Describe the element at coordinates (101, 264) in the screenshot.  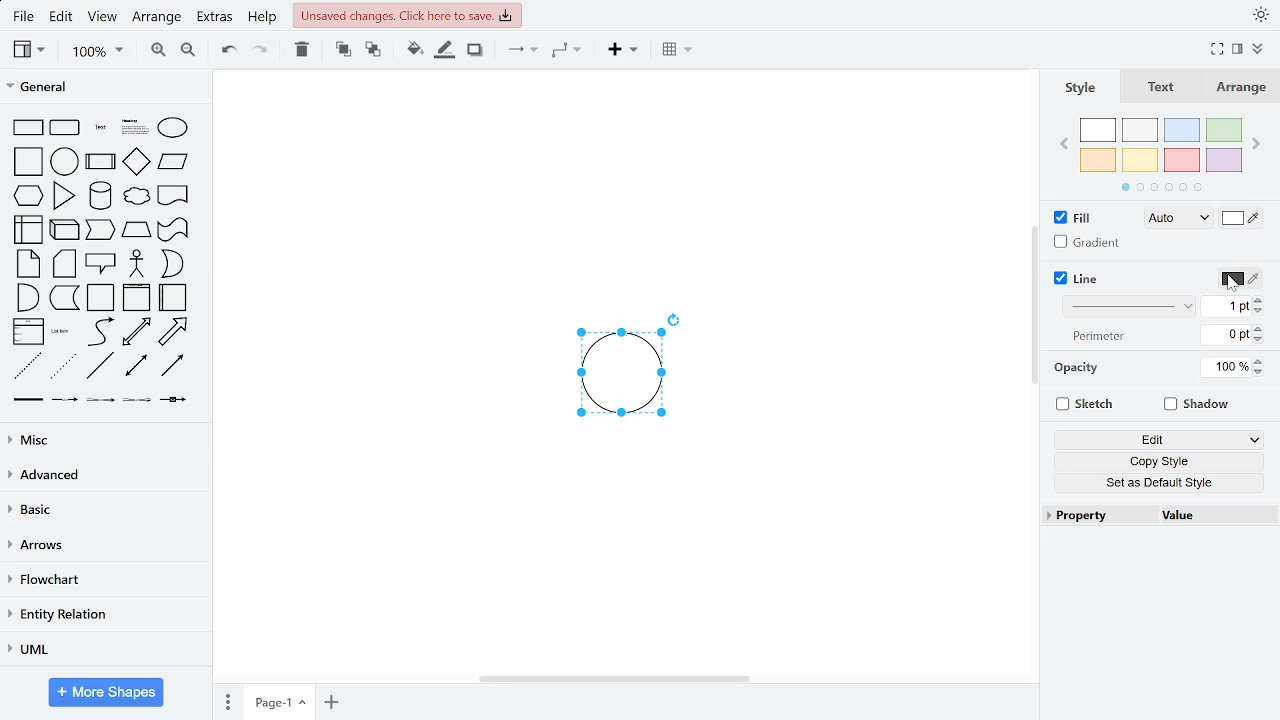
I see `callout` at that location.